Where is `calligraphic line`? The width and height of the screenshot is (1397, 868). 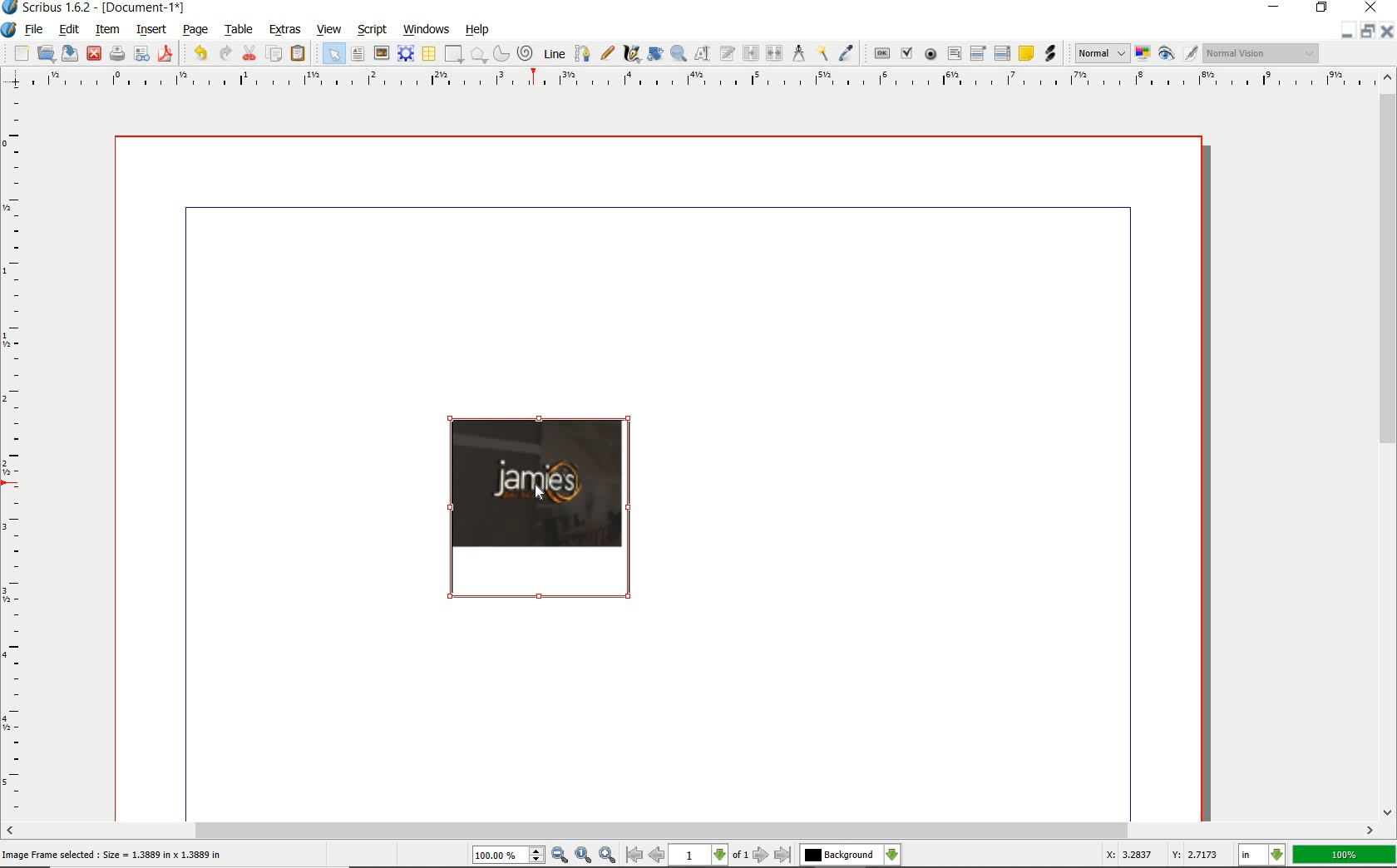
calligraphic line is located at coordinates (634, 55).